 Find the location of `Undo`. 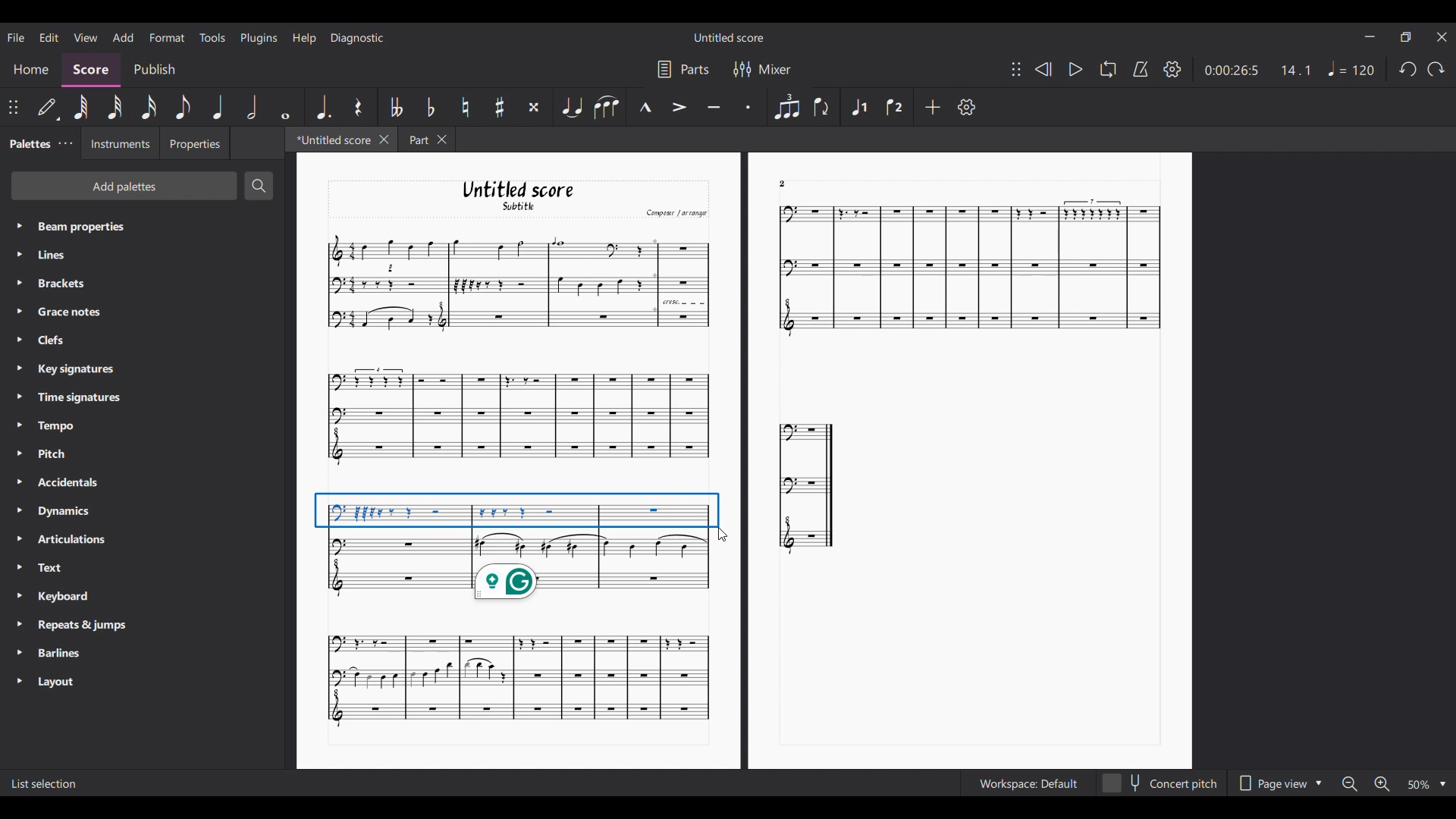

Undo is located at coordinates (1408, 70).